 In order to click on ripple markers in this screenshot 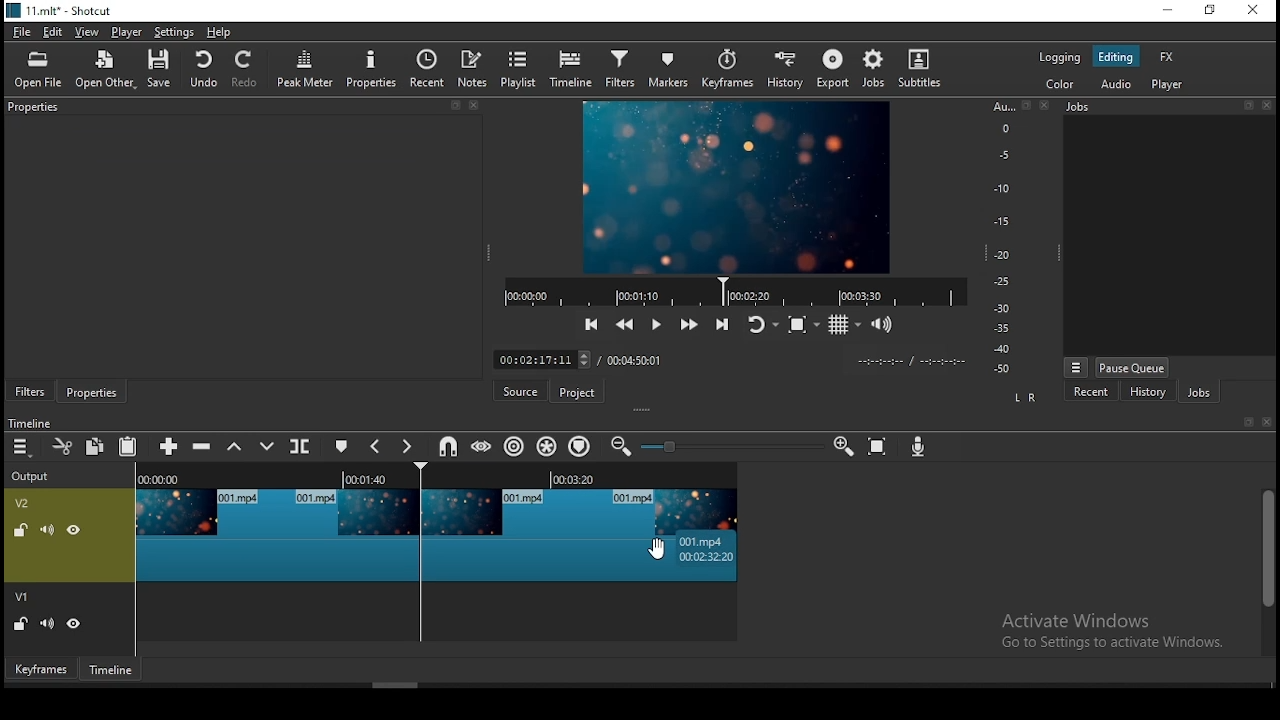, I will do `click(578, 446)`.